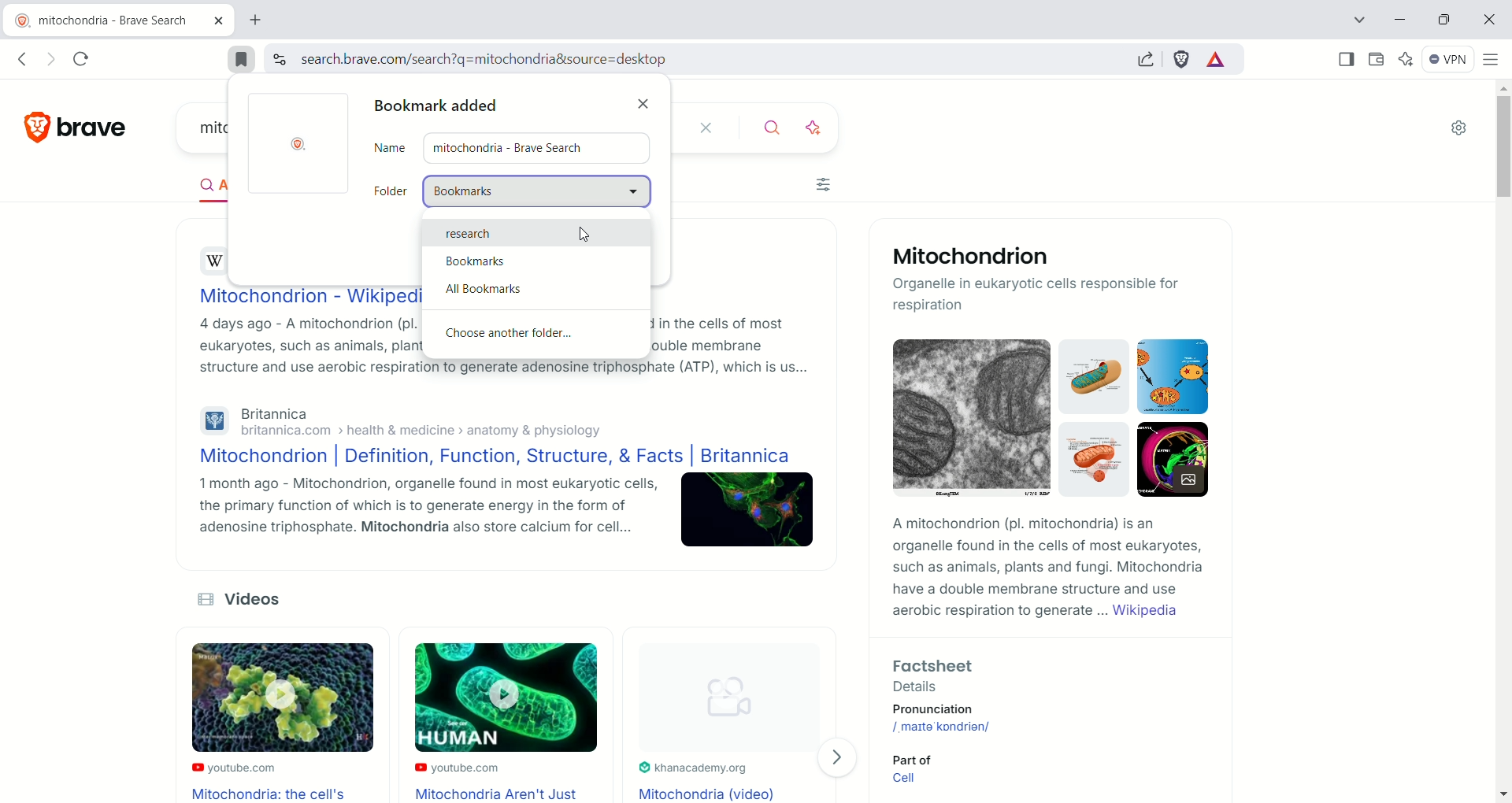  Describe the element at coordinates (105, 20) in the screenshot. I see `current tab` at that location.